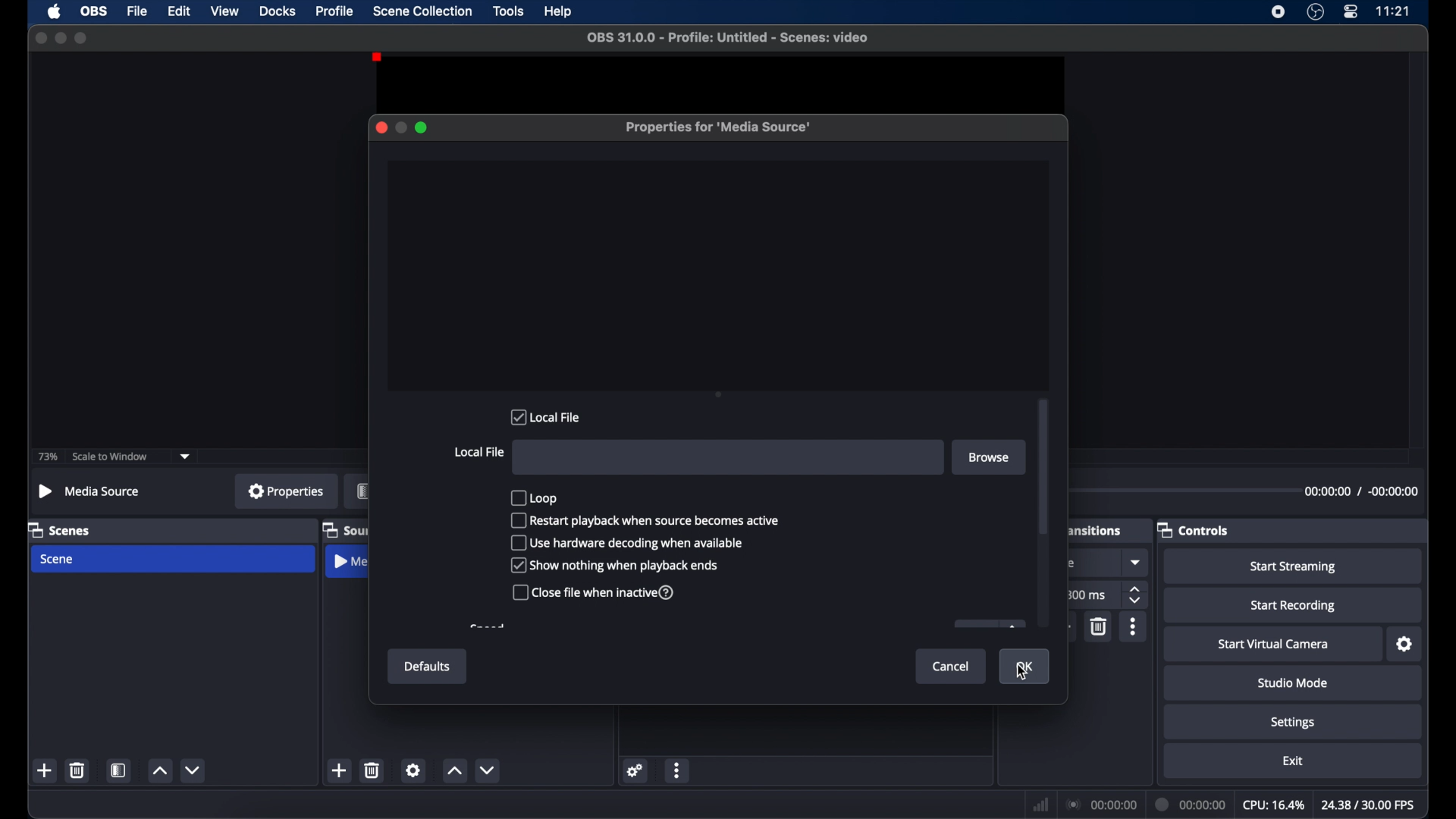  I want to click on scene collection, so click(422, 11).